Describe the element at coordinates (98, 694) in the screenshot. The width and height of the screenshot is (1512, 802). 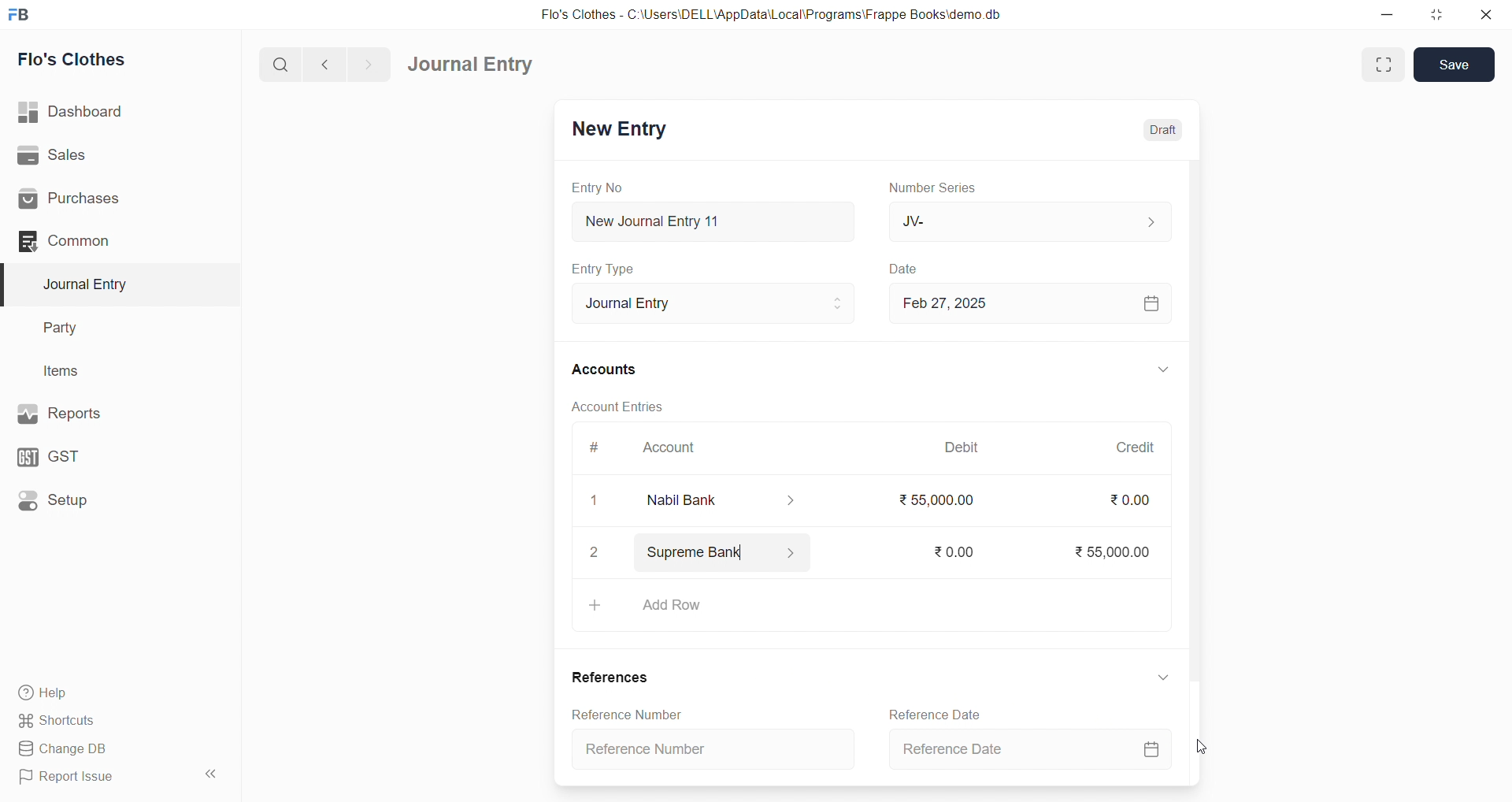
I see `Help` at that location.